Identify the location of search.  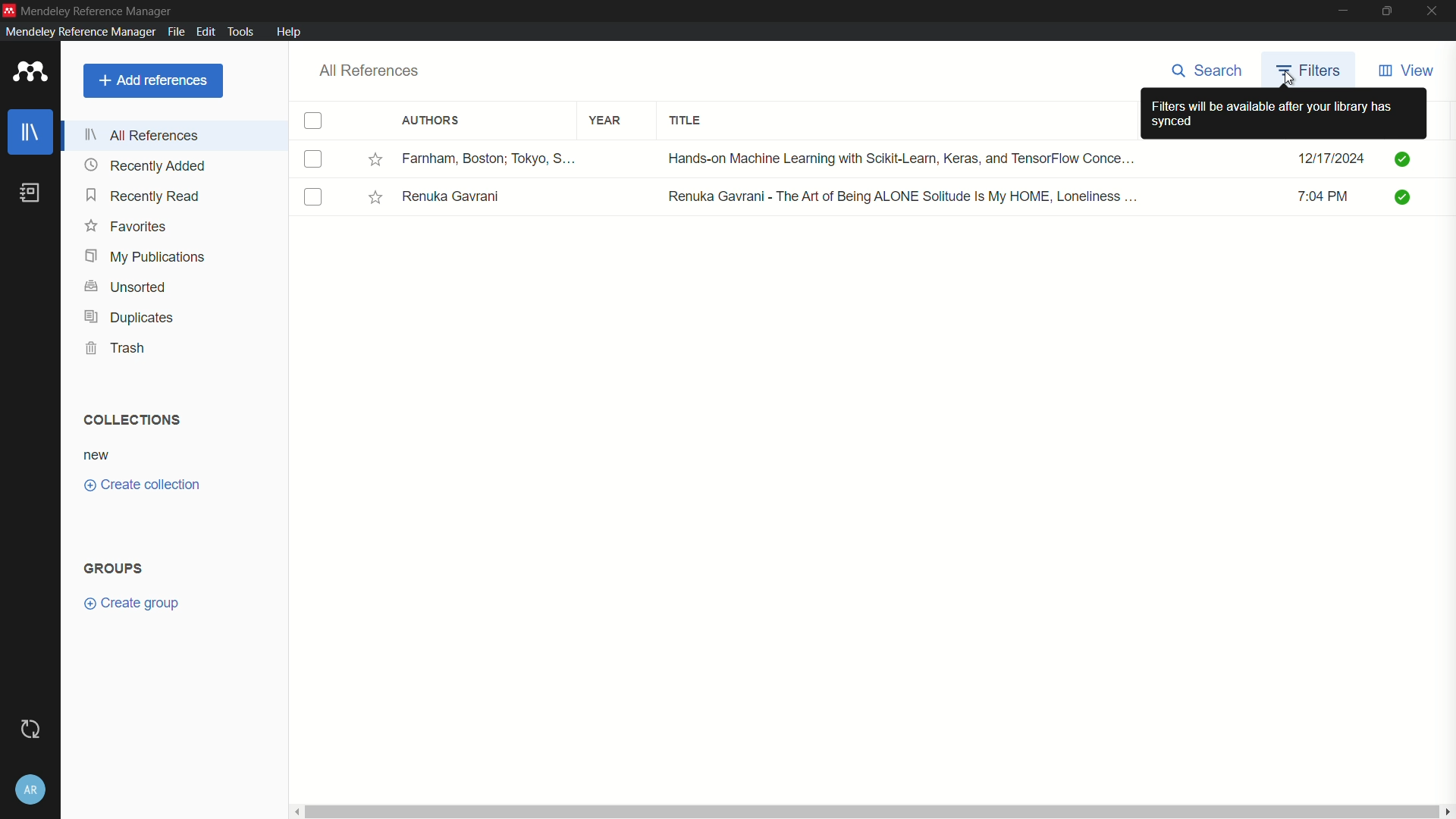
(1207, 70).